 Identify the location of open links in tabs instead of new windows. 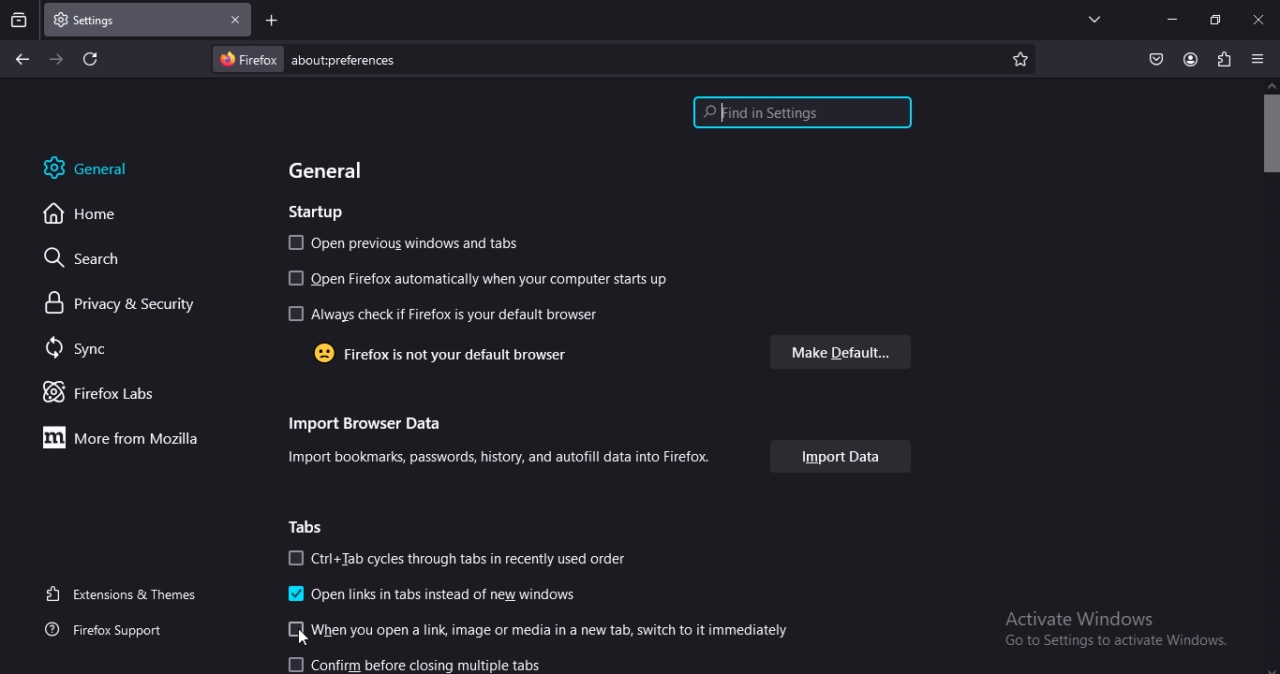
(430, 595).